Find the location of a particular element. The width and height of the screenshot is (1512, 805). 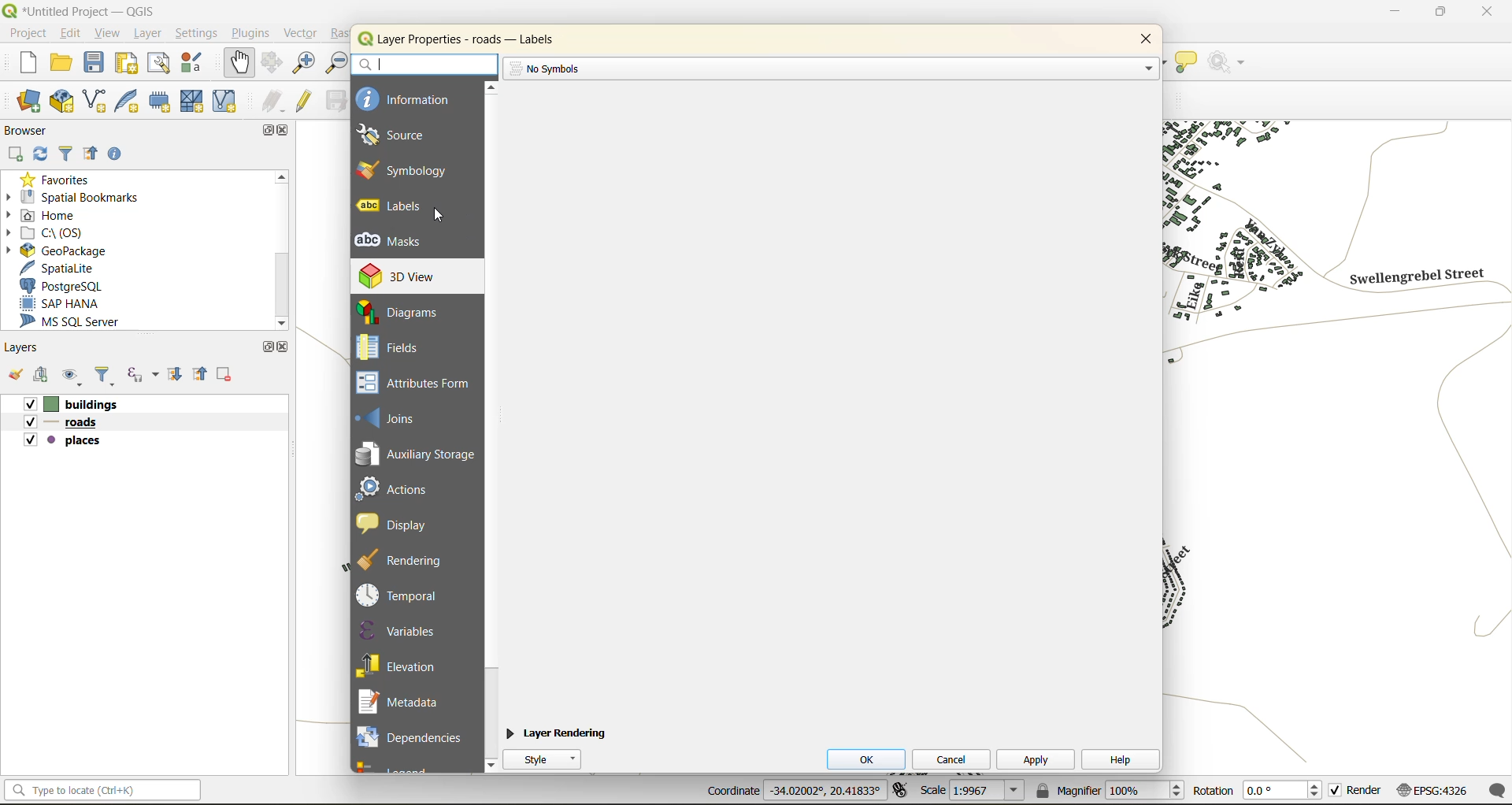

joins is located at coordinates (395, 417).